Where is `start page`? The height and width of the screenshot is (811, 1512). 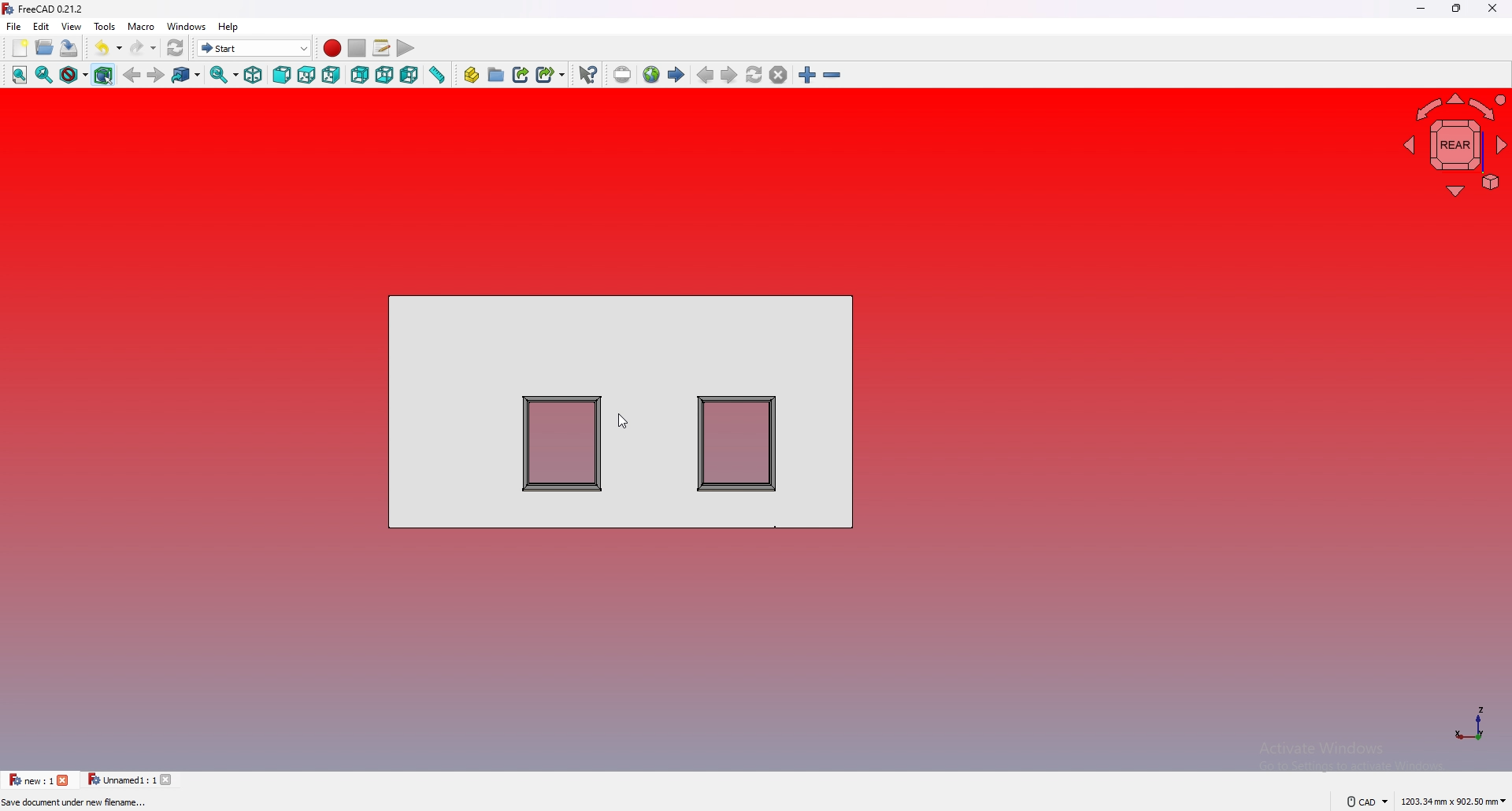
start page is located at coordinates (676, 75).